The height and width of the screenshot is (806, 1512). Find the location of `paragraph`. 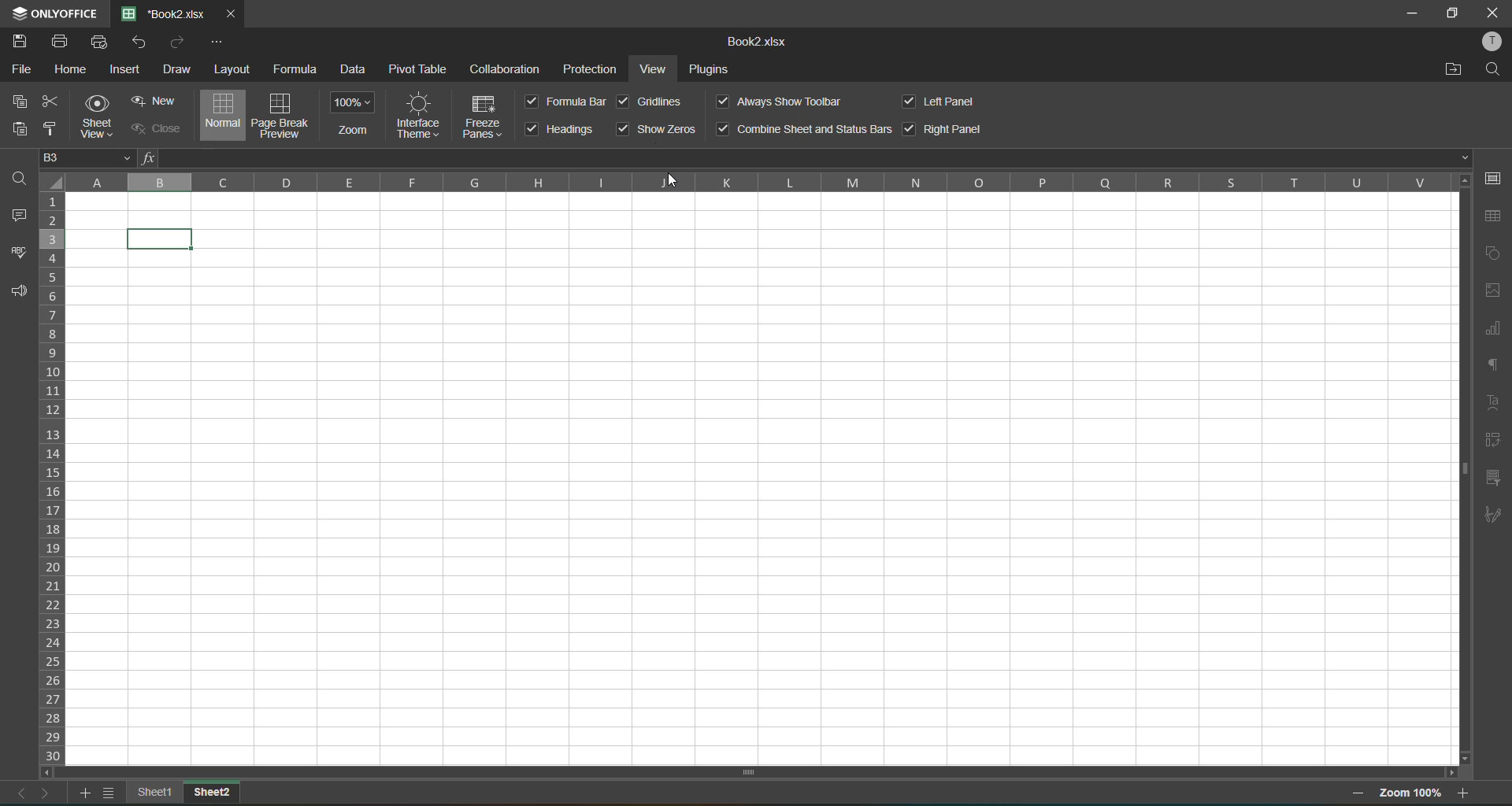

paragraph is located at coordinates (1495, 364).